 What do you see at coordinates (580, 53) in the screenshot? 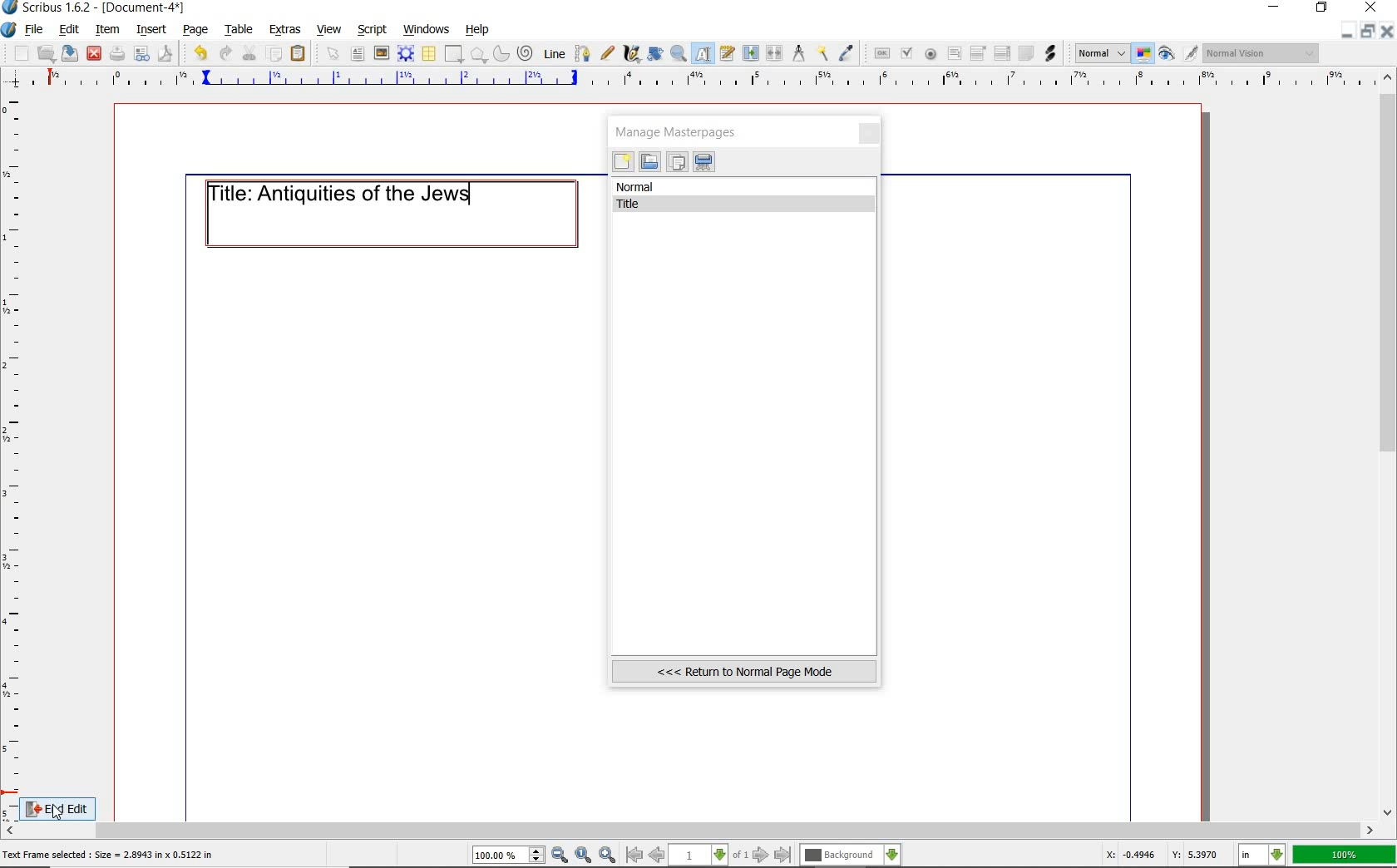
I see `Bezier curve` at bounding box center [580, 53].